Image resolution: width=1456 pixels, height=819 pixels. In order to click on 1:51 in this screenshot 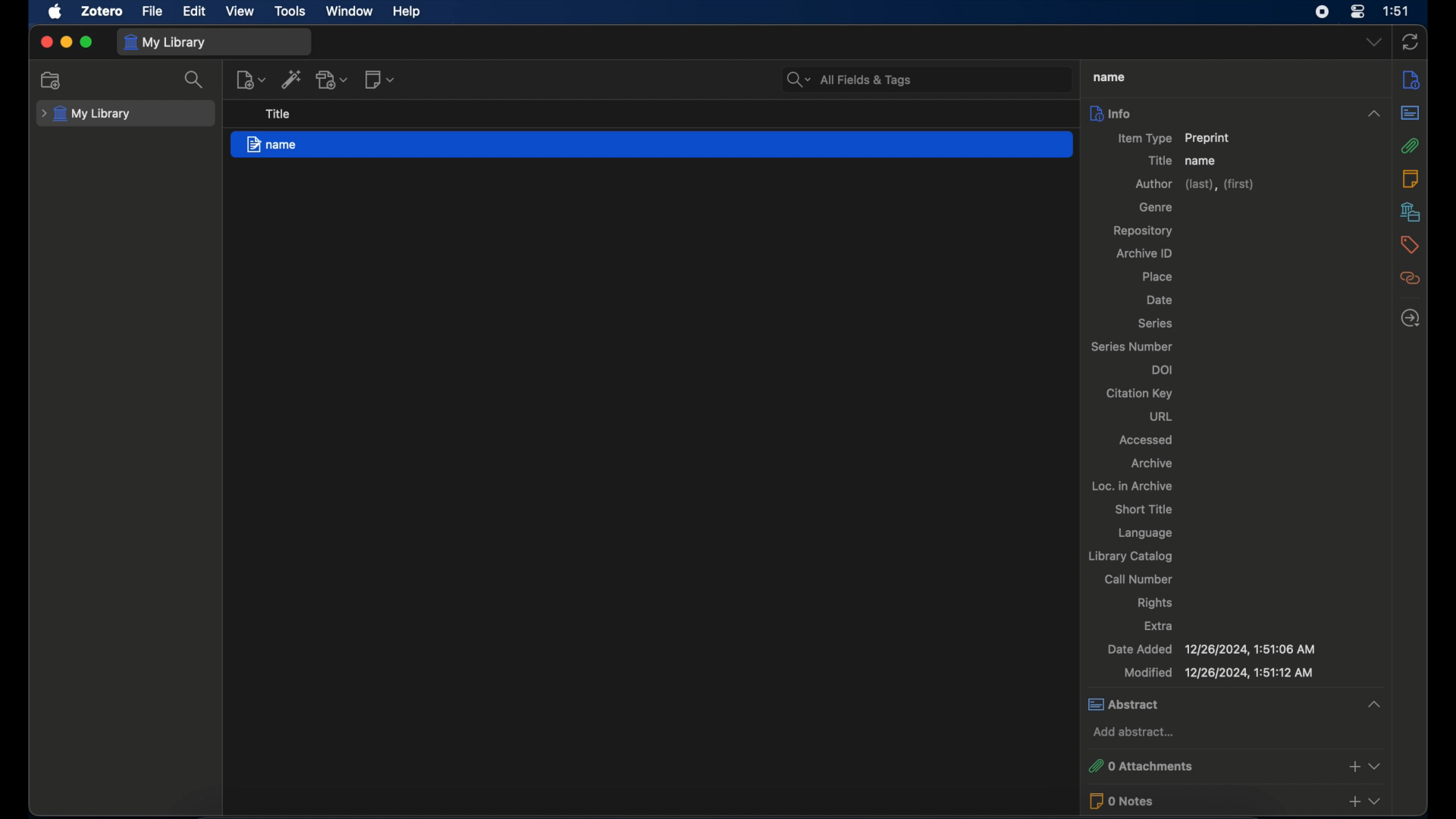, I will do `click(1398, 11)`.